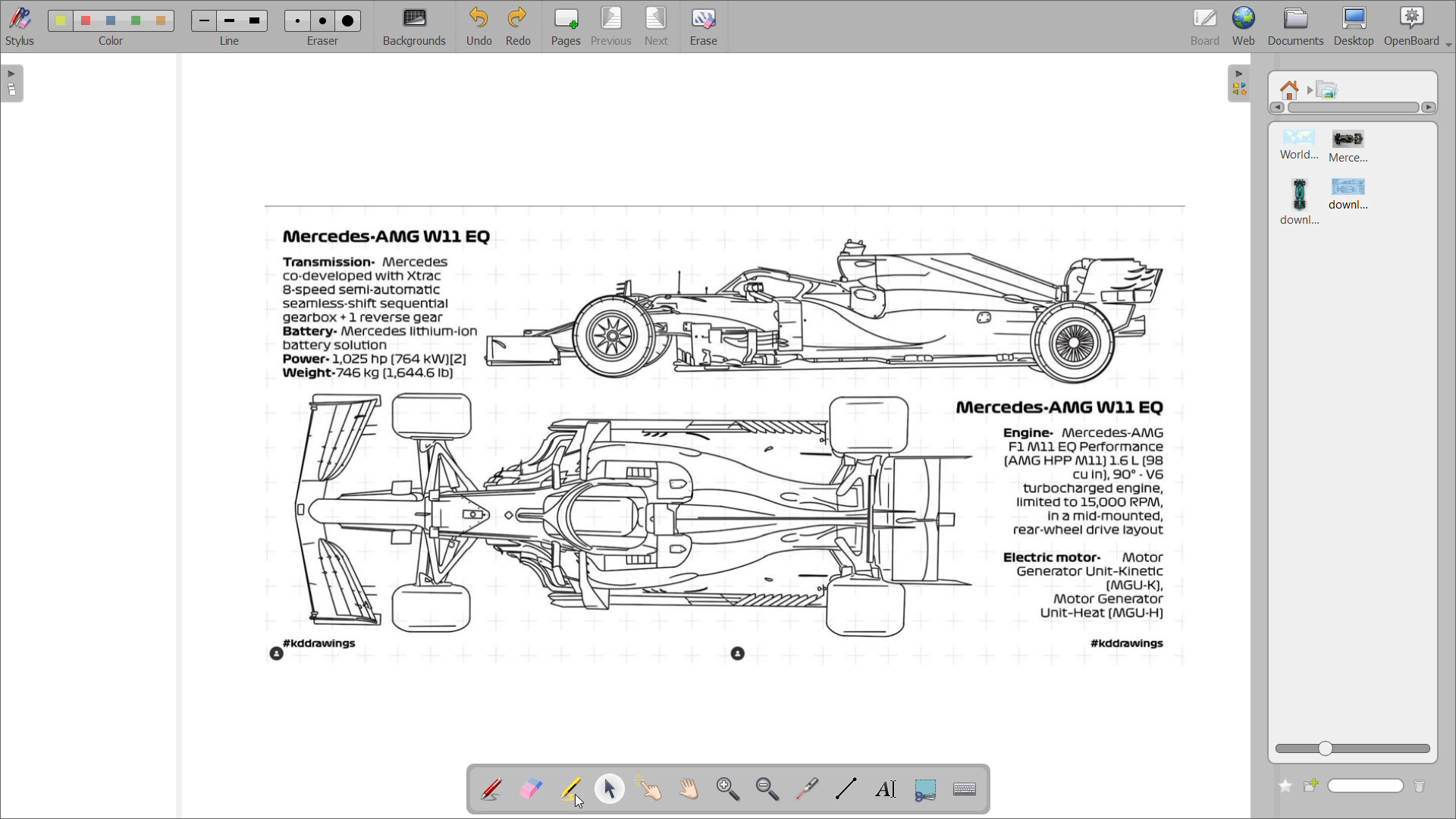 The width and height of the screenshot is (1456, 819). Describe the element at coordinates (203, 20) in the screenshot. I see `line 1` at that location.